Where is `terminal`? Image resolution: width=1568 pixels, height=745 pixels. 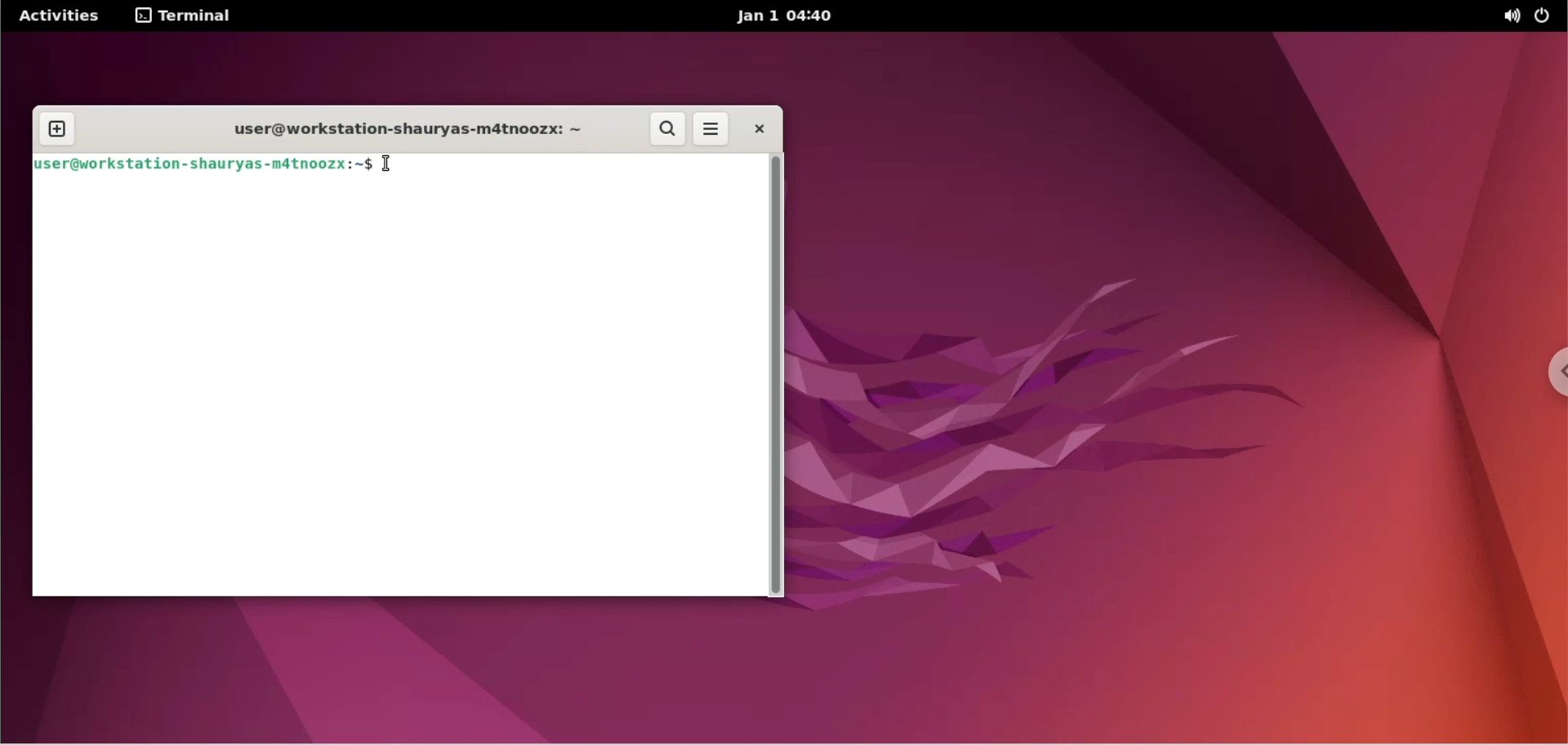 terminal is located at coordinates (182, 17).